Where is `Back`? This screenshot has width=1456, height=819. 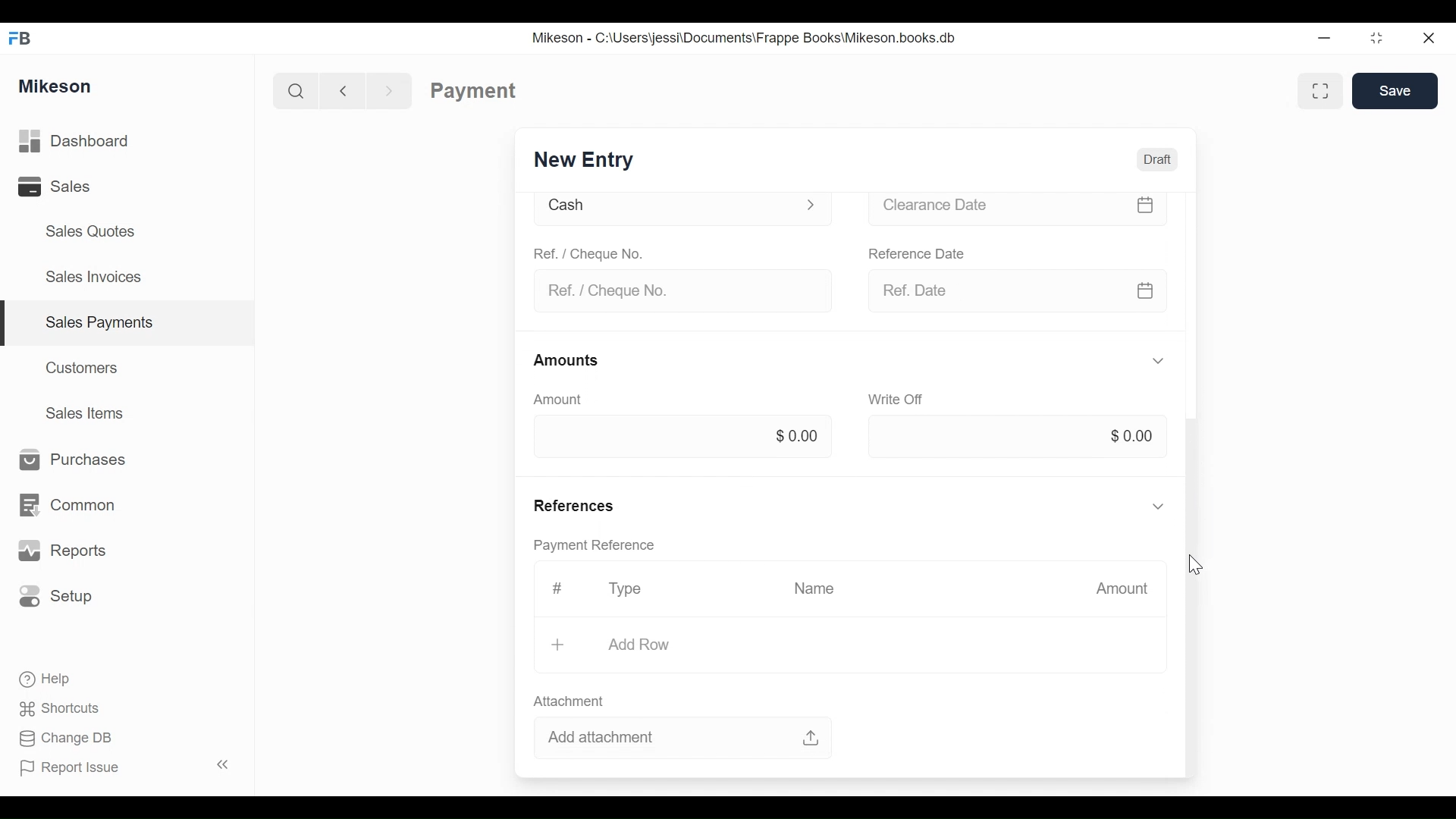
Back is located at coordinates (350, 89).